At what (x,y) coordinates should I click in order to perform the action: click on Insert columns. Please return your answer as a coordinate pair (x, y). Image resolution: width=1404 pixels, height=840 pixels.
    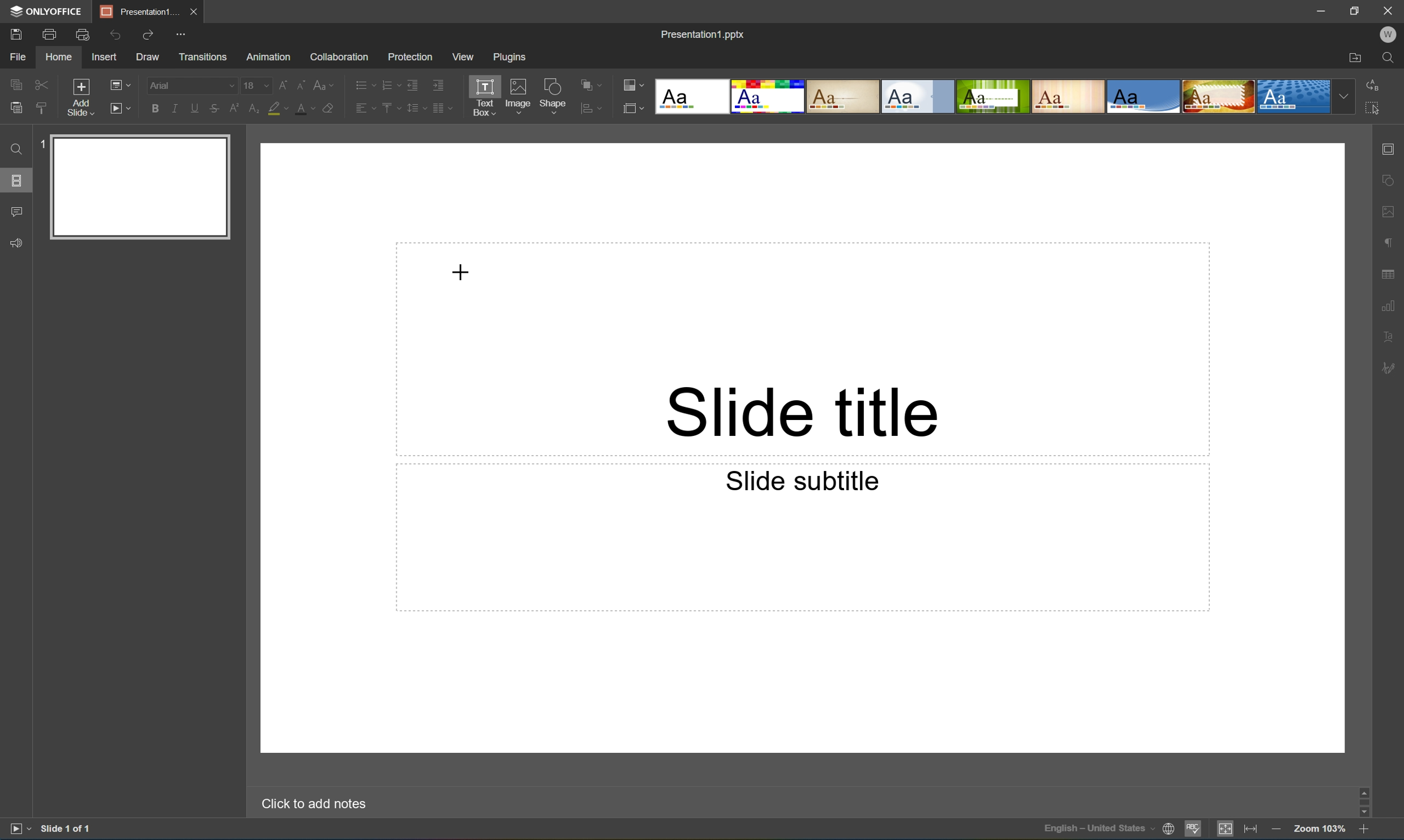
    Looking at the image, I should click on (442, 108).